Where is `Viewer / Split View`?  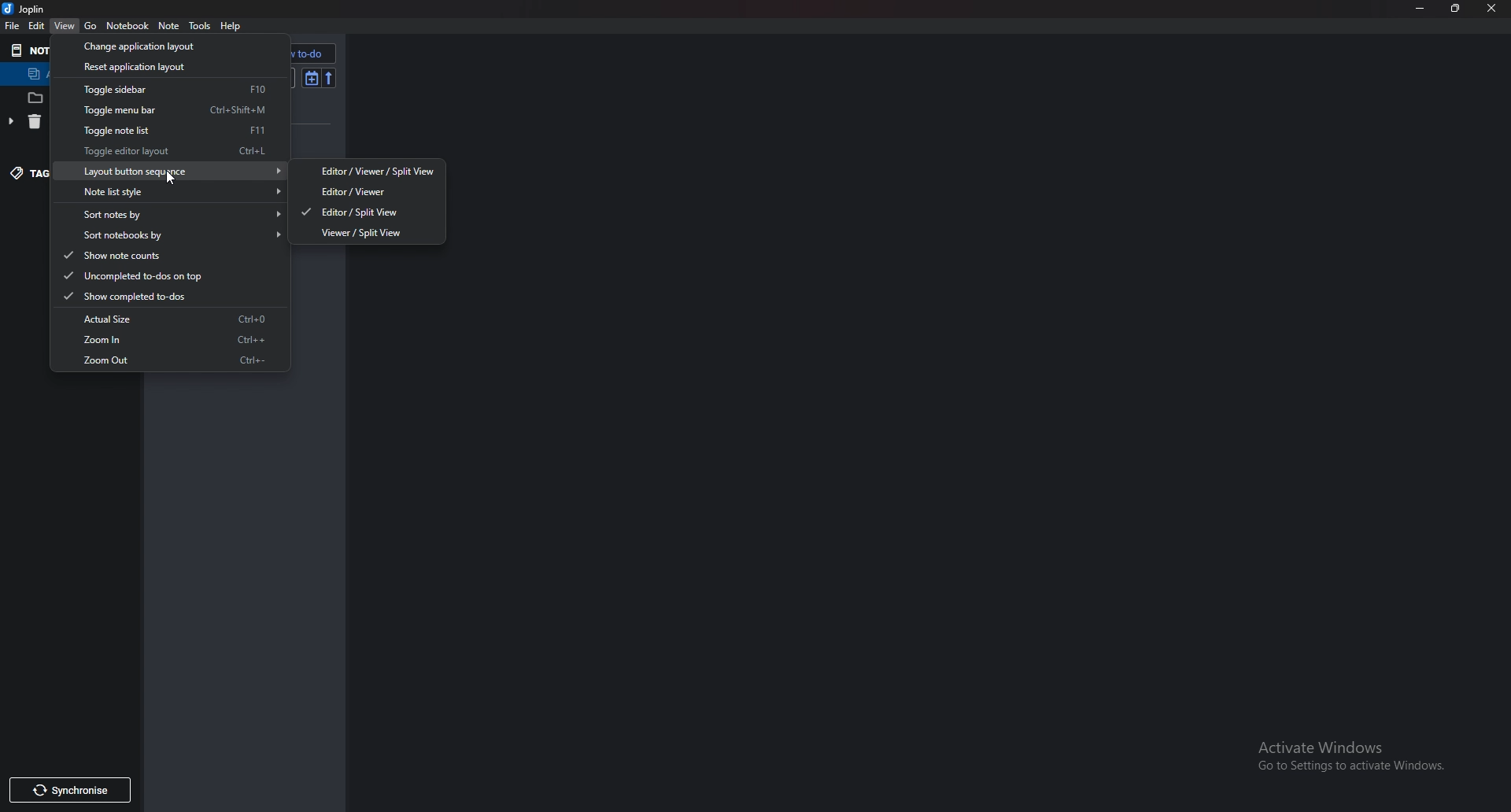
Viewer / Split View is located at coordinates (364, 232).